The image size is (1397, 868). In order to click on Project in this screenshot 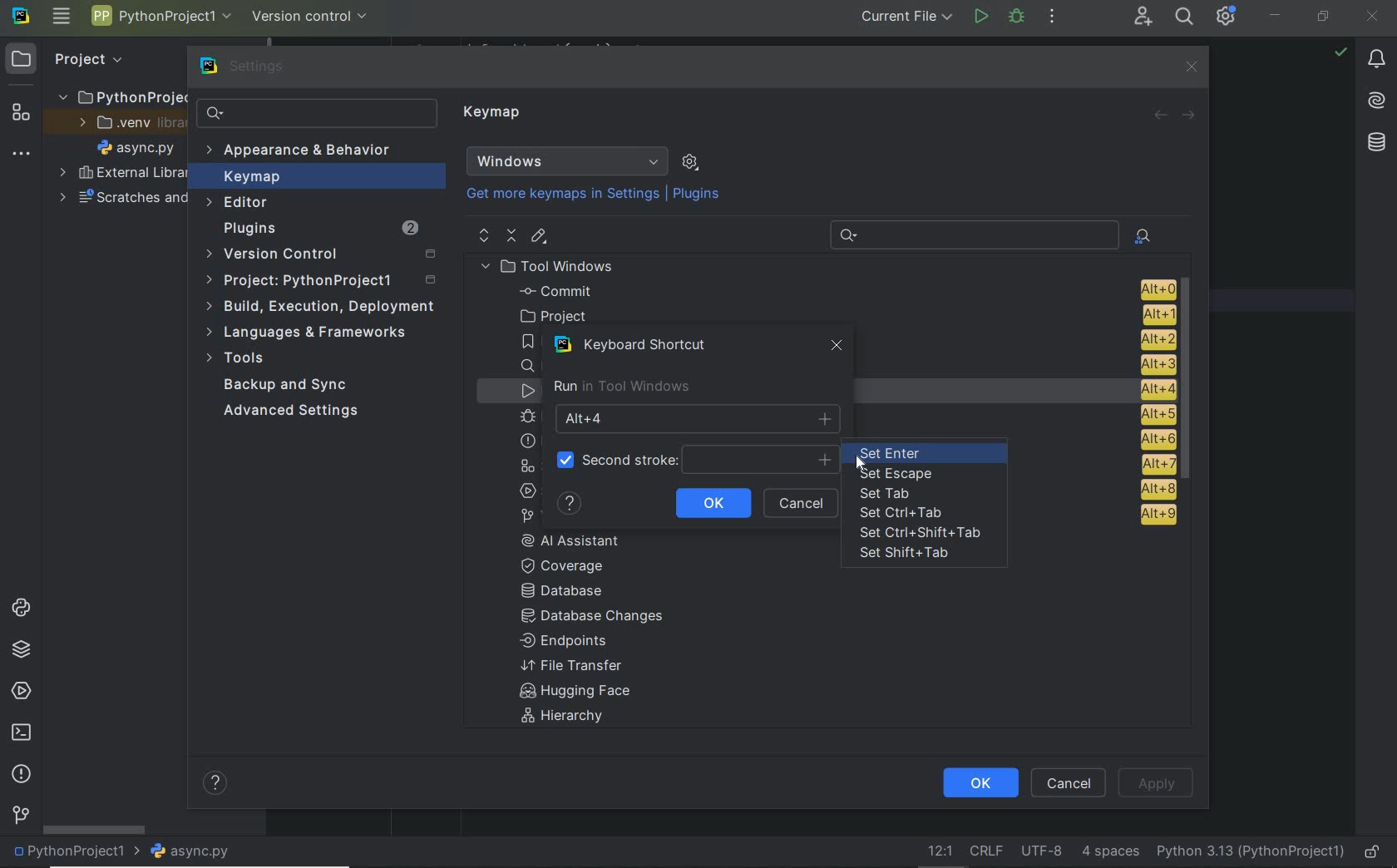, I will do `click(72, 58)`.